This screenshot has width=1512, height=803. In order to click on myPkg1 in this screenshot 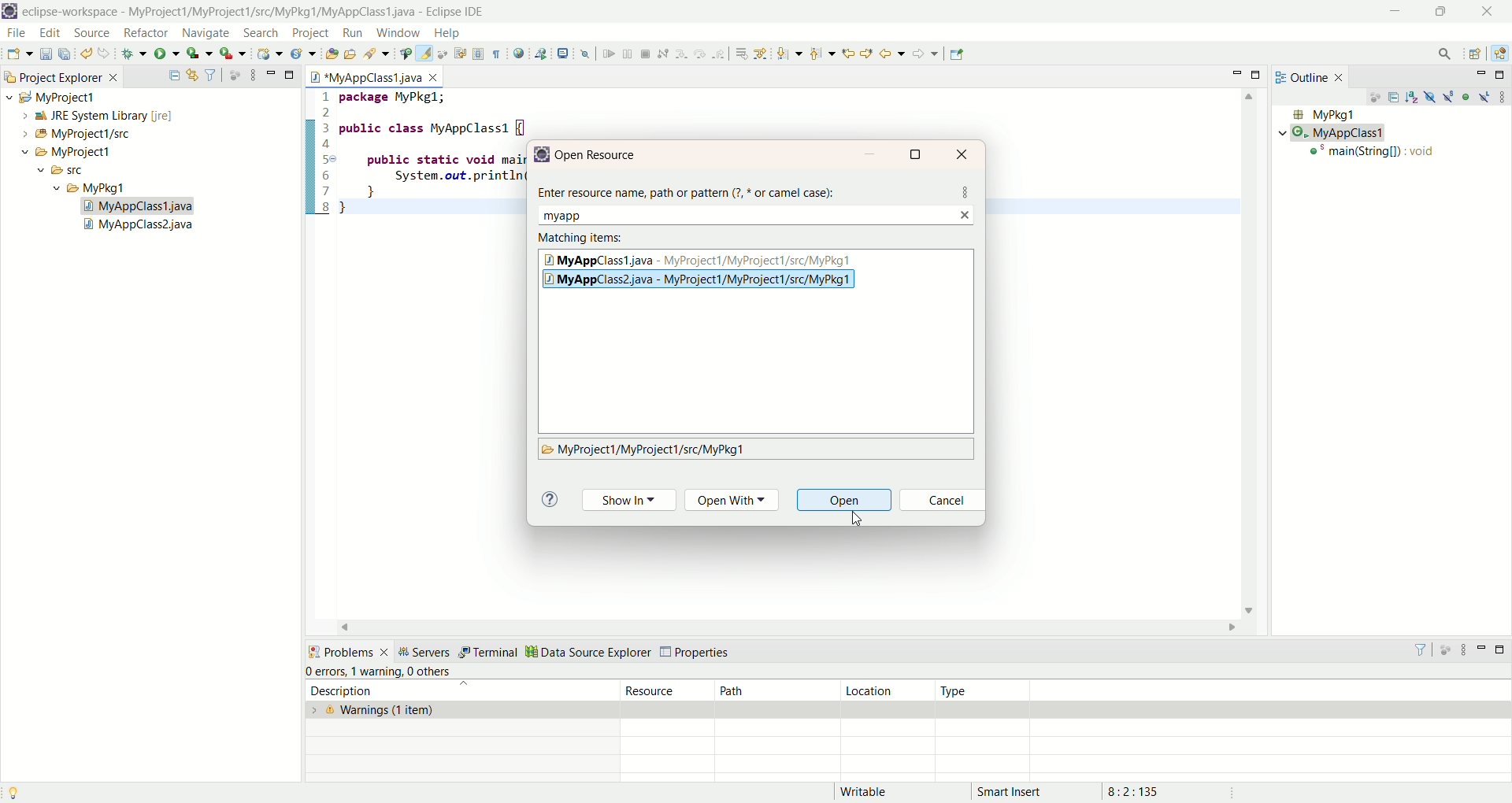, I will do `click(1322, 115)`.